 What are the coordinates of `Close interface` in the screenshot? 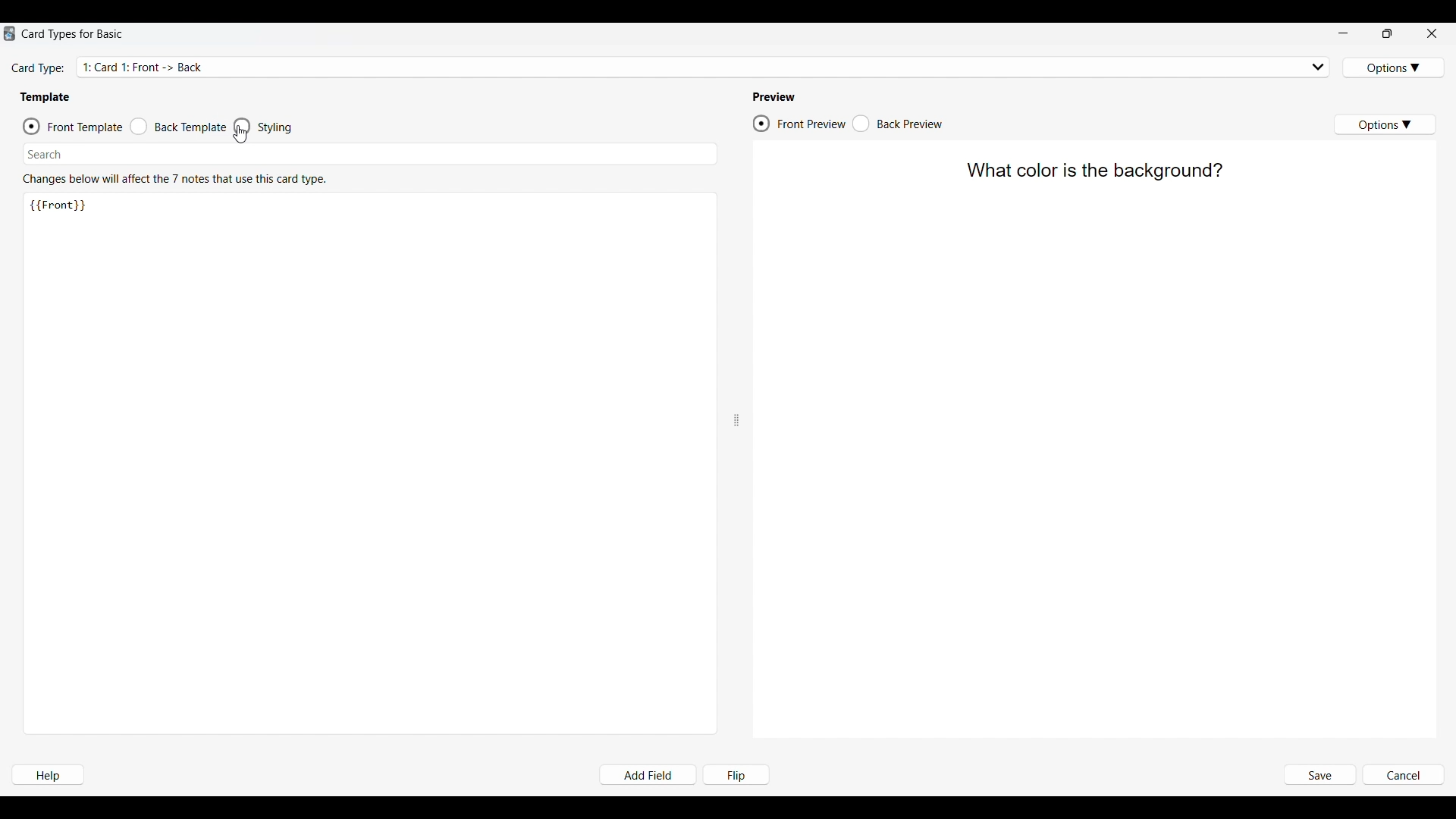 It's located at (1432, 33).